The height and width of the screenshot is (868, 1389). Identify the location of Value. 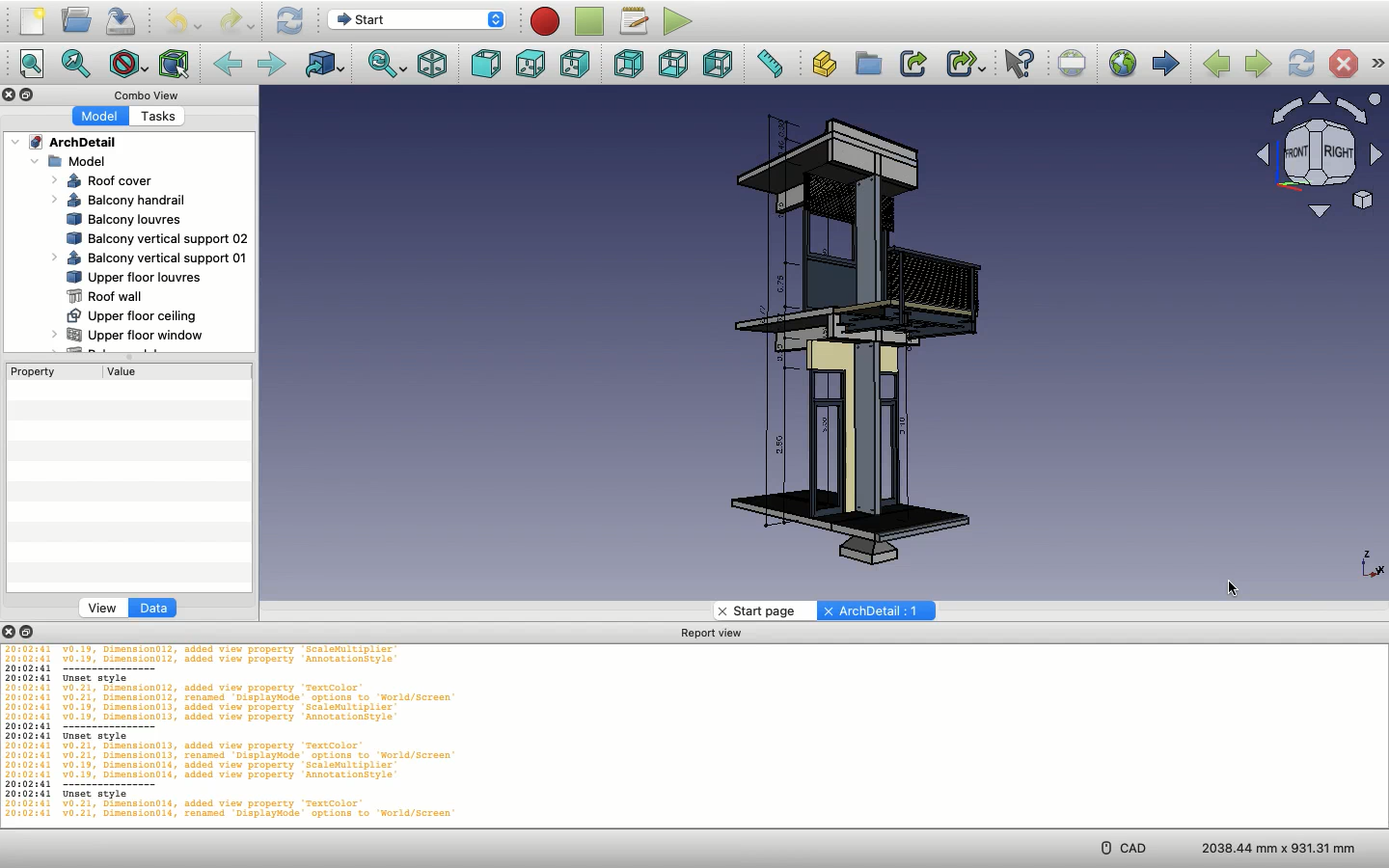
(129, 372).